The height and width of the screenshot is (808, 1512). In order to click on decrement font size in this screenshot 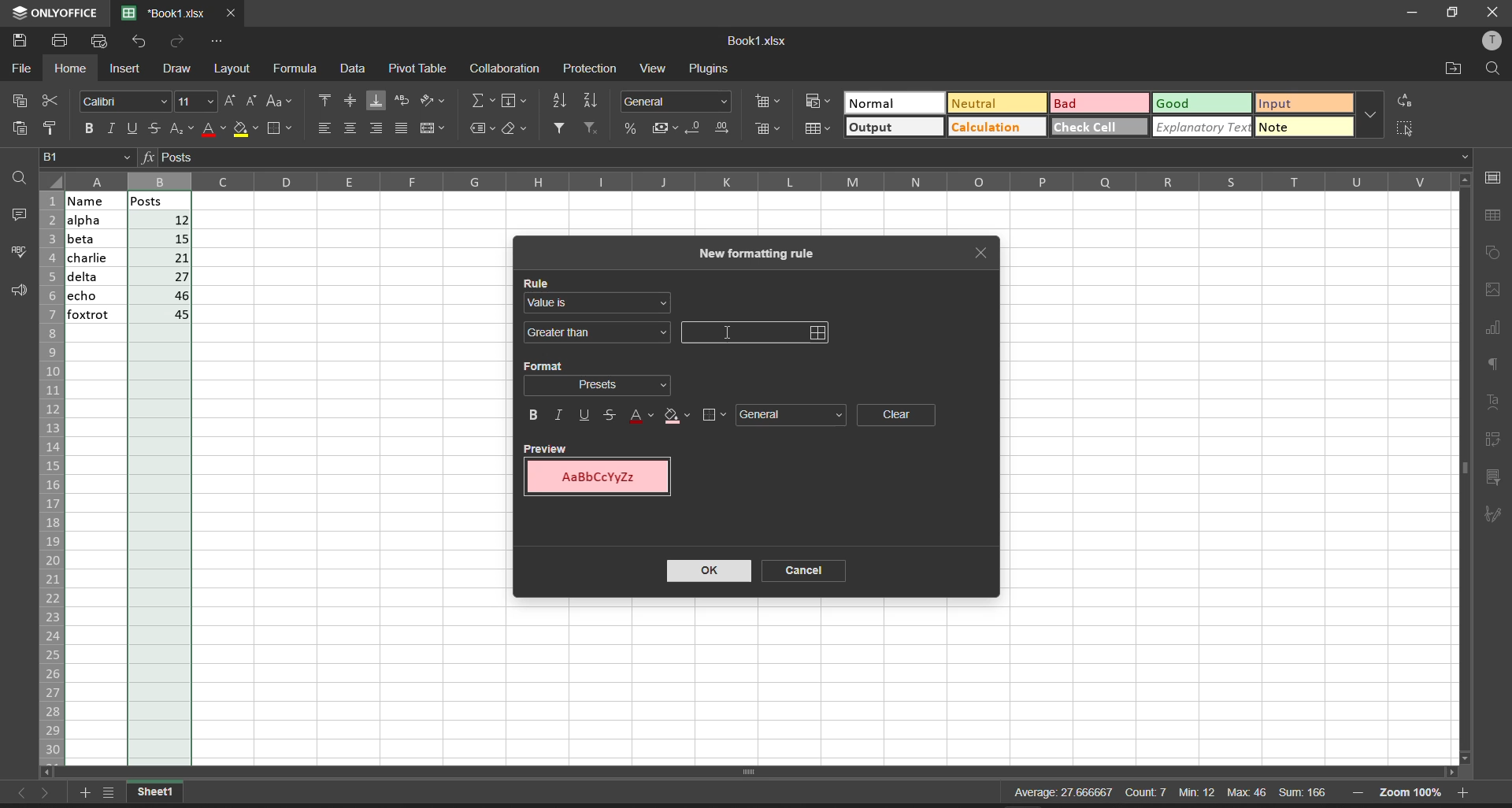, I will do `click(253, 98)`.